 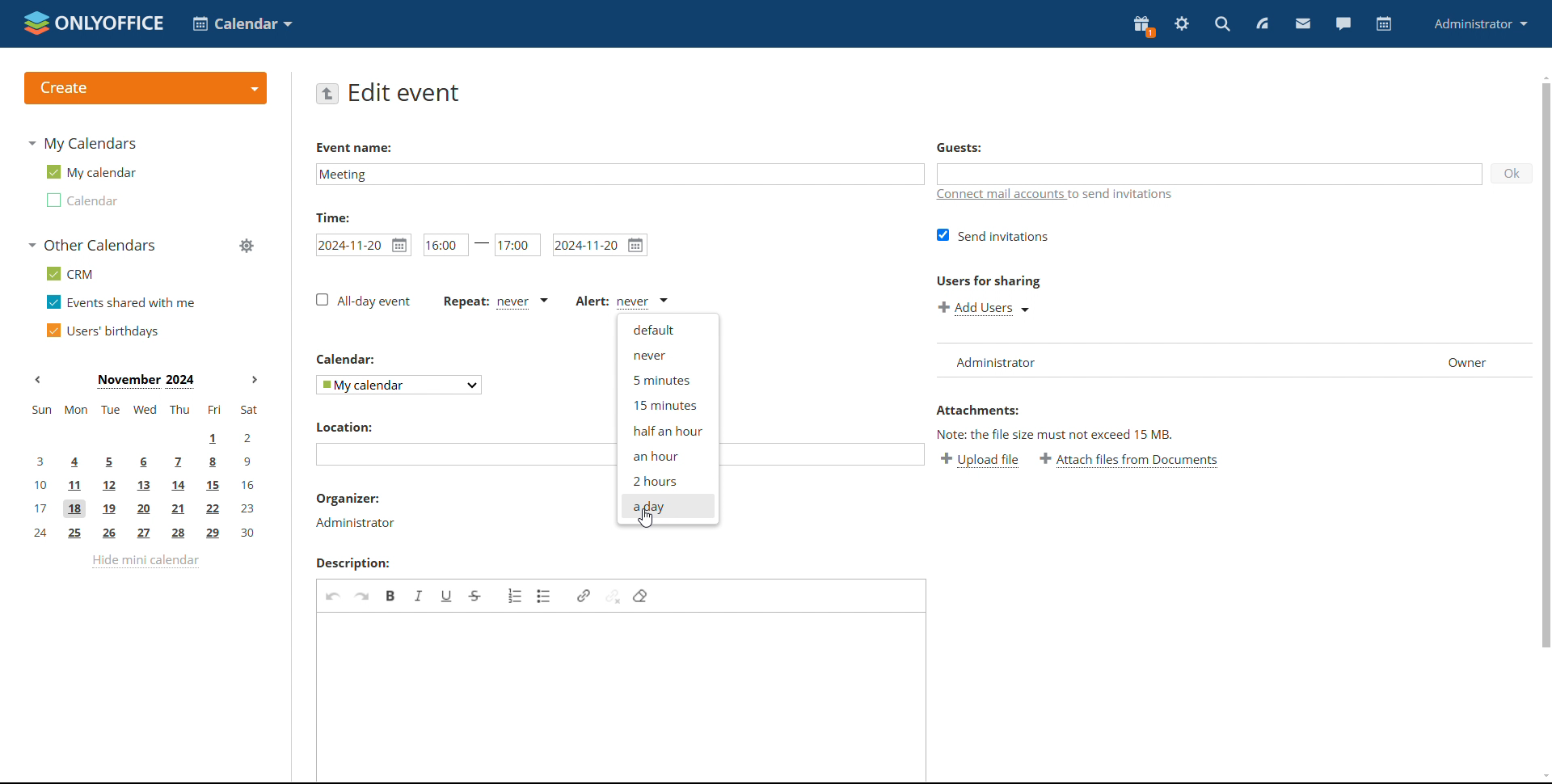 What do you see at coordinates (67, 273) in the screenshot?
I see `crm` at bounding box center [67, 273].